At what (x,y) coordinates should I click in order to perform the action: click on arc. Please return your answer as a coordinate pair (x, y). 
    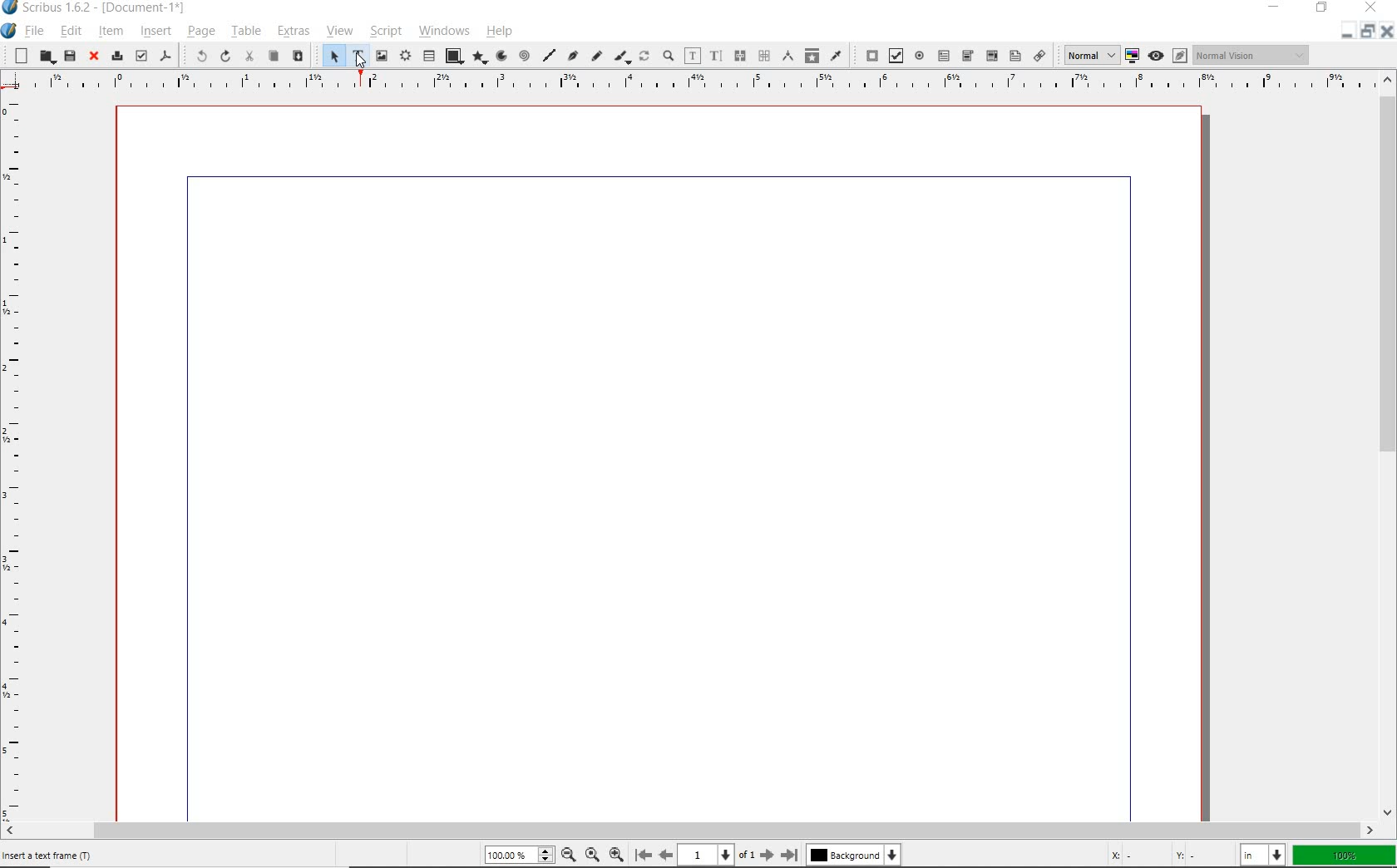
    Looking at the image, I should click on (502, 56).